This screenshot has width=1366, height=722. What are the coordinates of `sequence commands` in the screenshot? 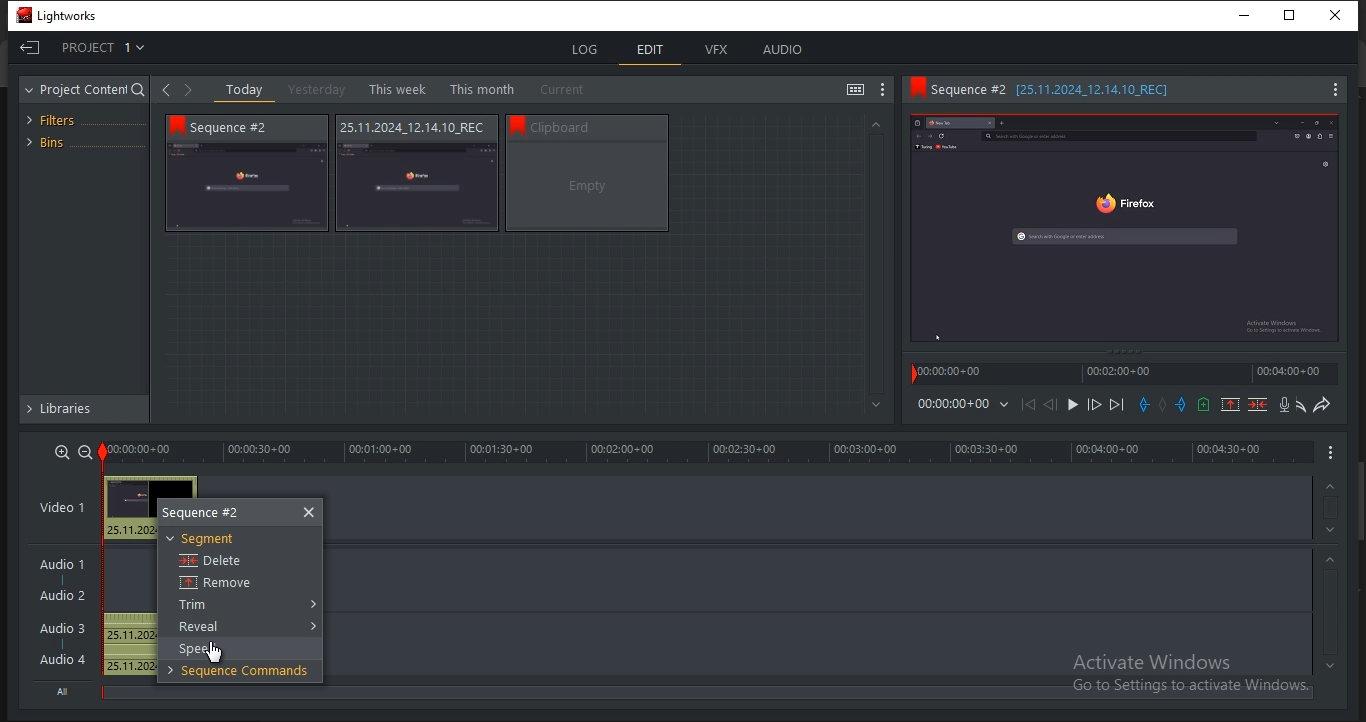 It's located at (239, 672).